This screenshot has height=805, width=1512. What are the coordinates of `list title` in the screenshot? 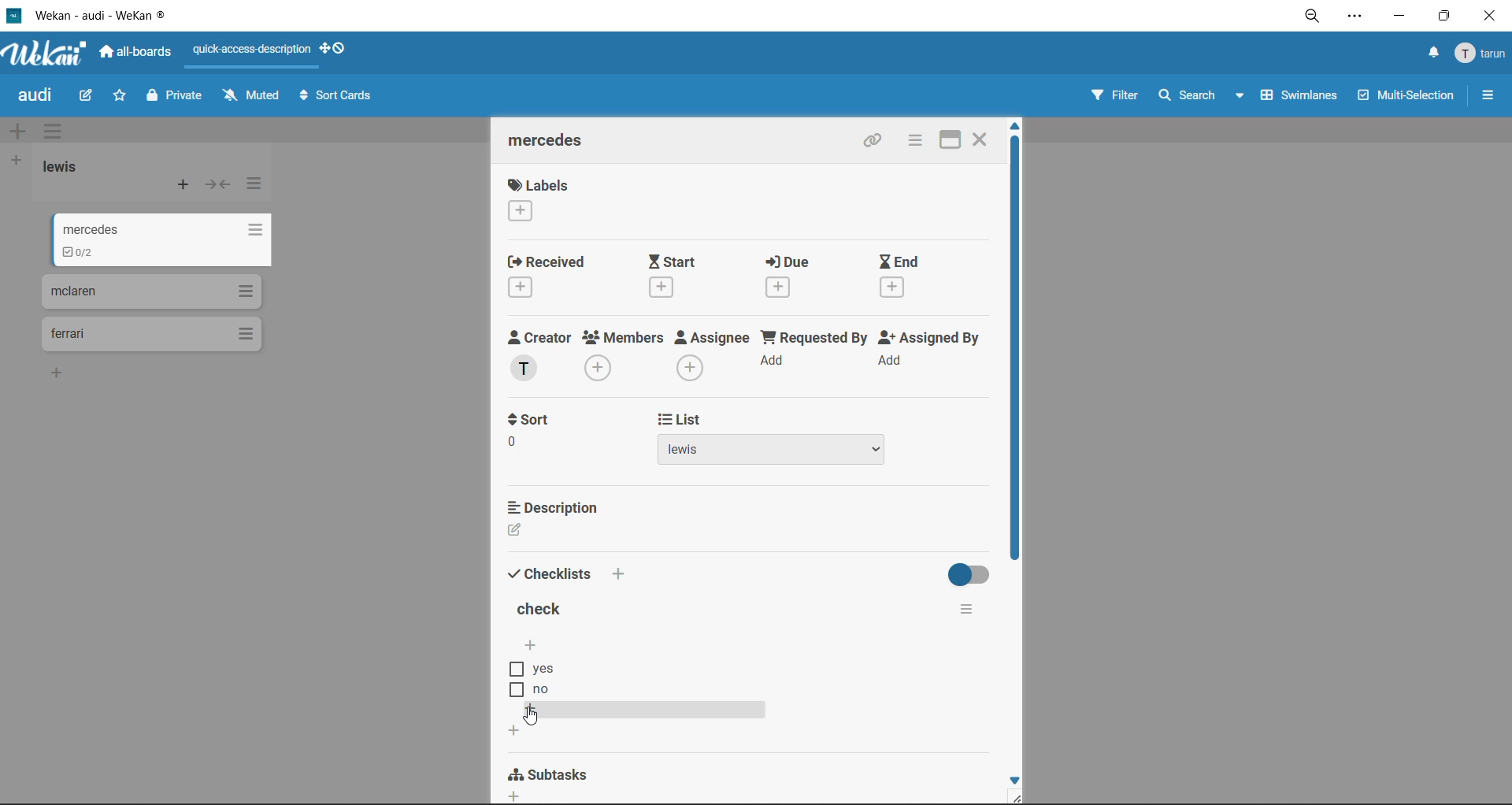 It's located at (65, 169).